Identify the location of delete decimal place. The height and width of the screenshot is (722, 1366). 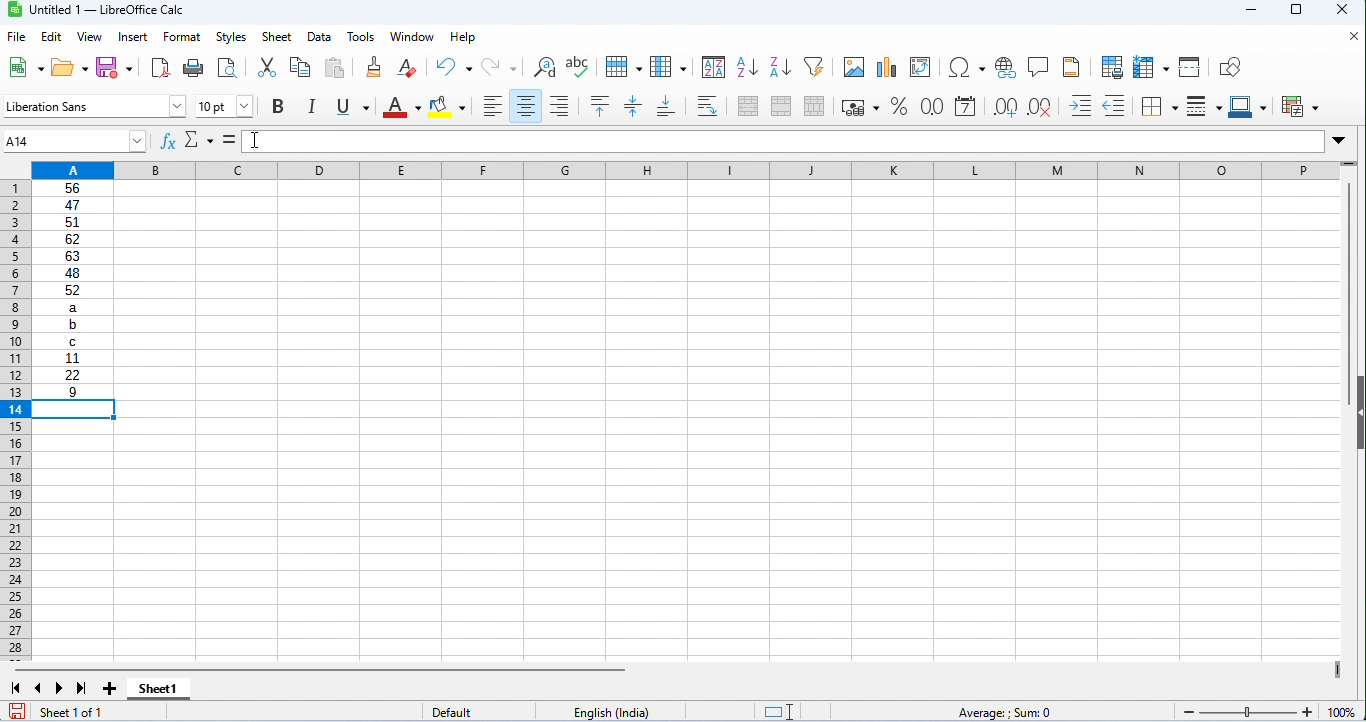
(1039, 108).